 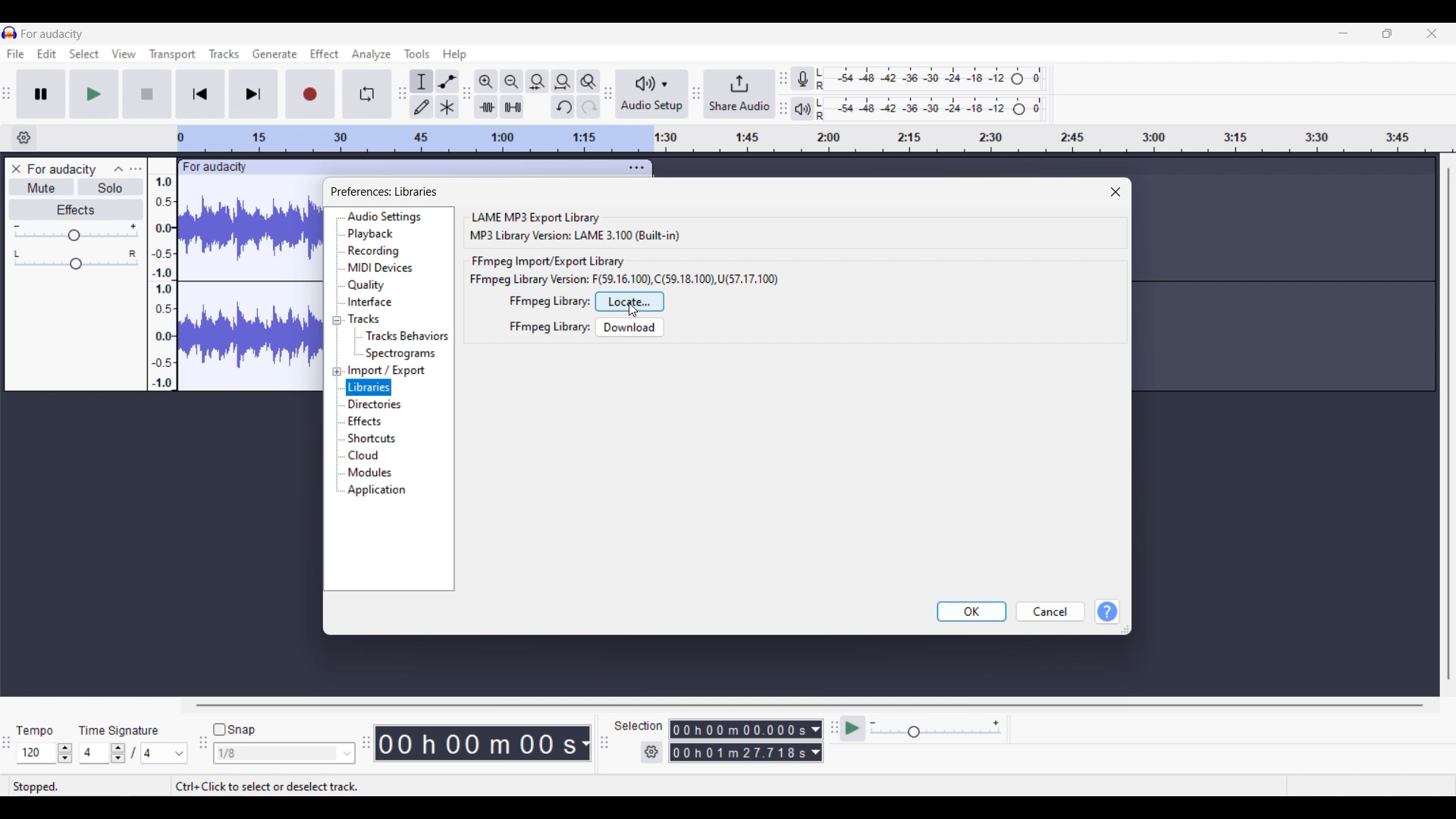 I want to click on Effects, so click(x=366, y=422).